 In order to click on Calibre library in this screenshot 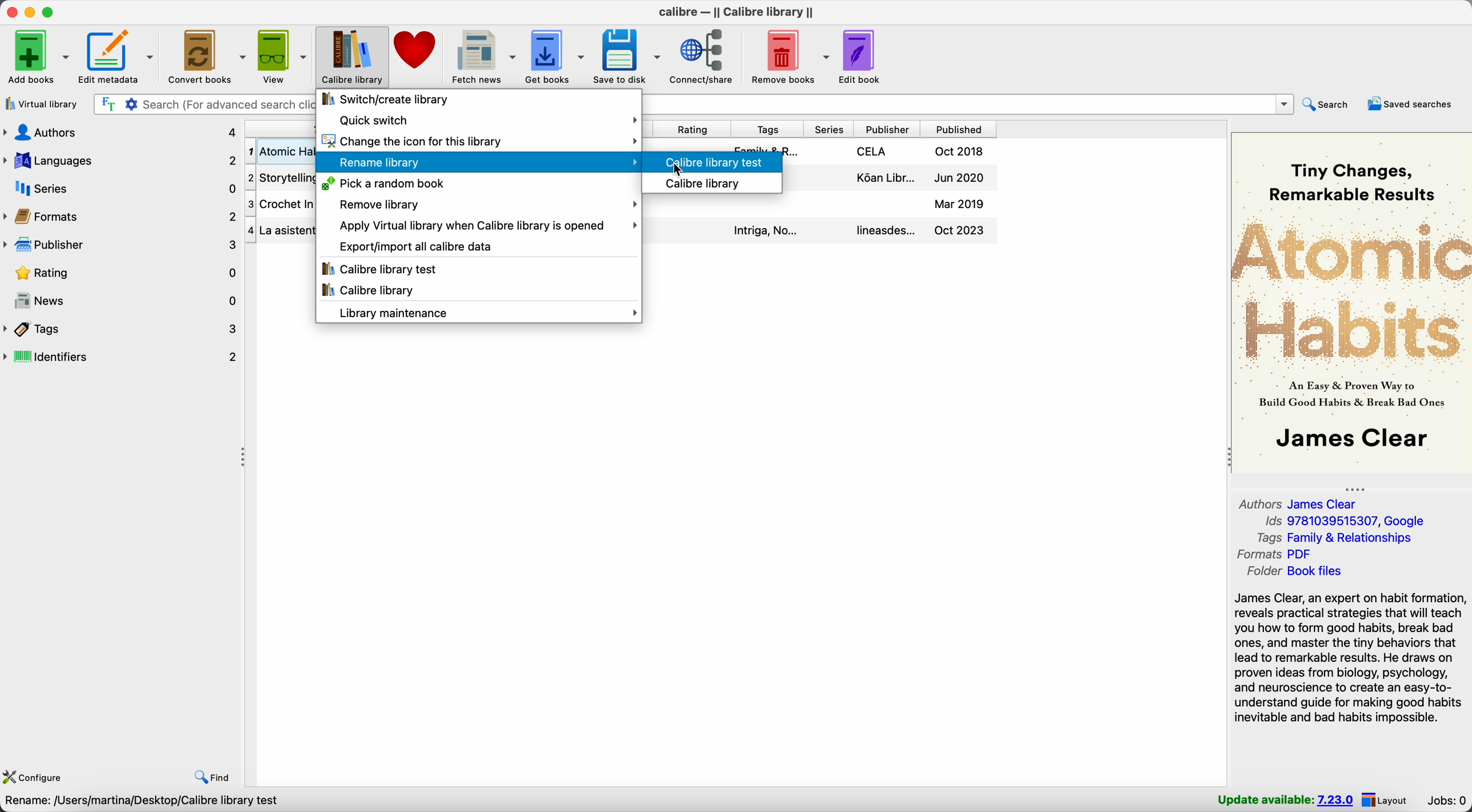, I will do `click(370, 291)`.